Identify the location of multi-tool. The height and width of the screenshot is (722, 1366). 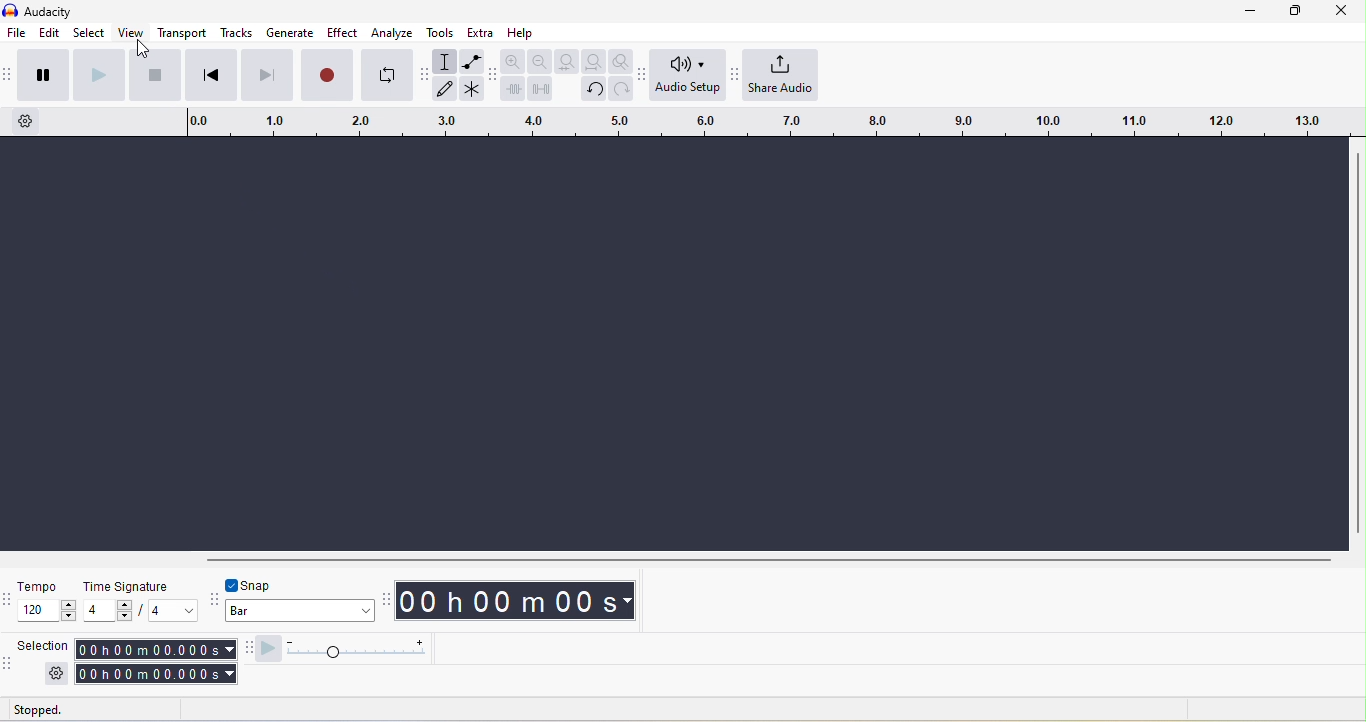
(472, 89).